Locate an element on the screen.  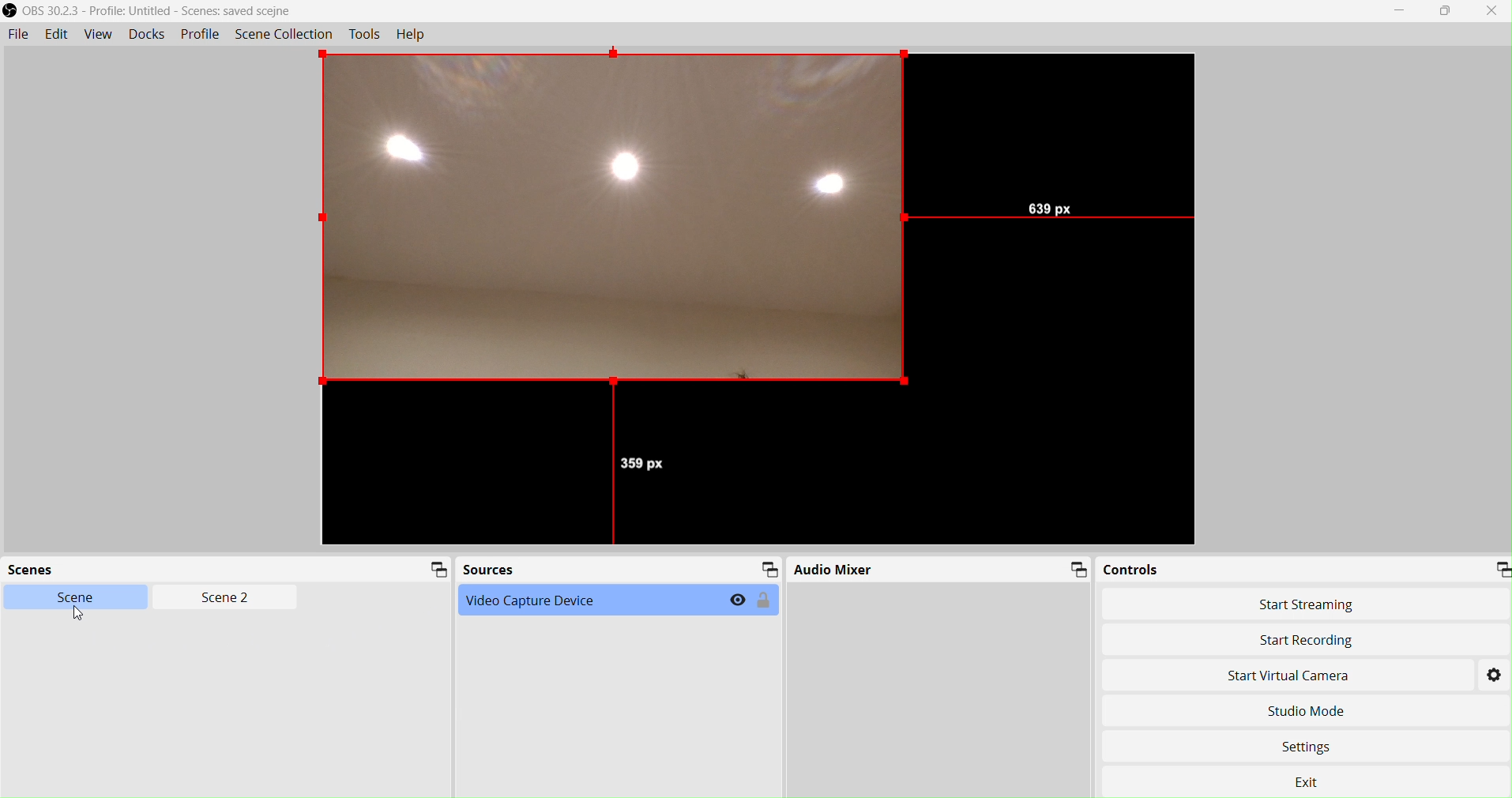
359 px is located at coordinates (648, 466).